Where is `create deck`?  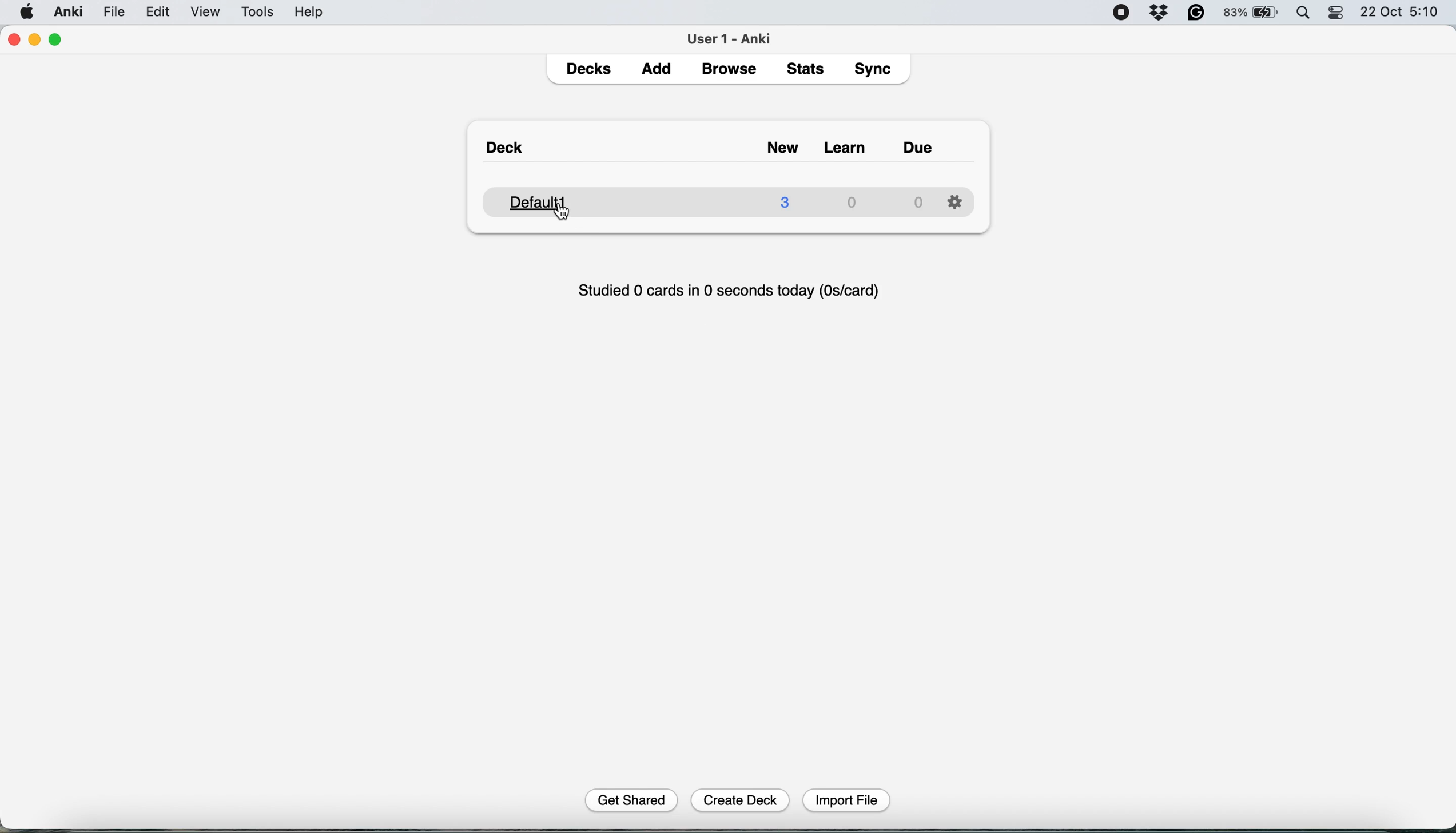
create deck is located at coordinates (742, 799).